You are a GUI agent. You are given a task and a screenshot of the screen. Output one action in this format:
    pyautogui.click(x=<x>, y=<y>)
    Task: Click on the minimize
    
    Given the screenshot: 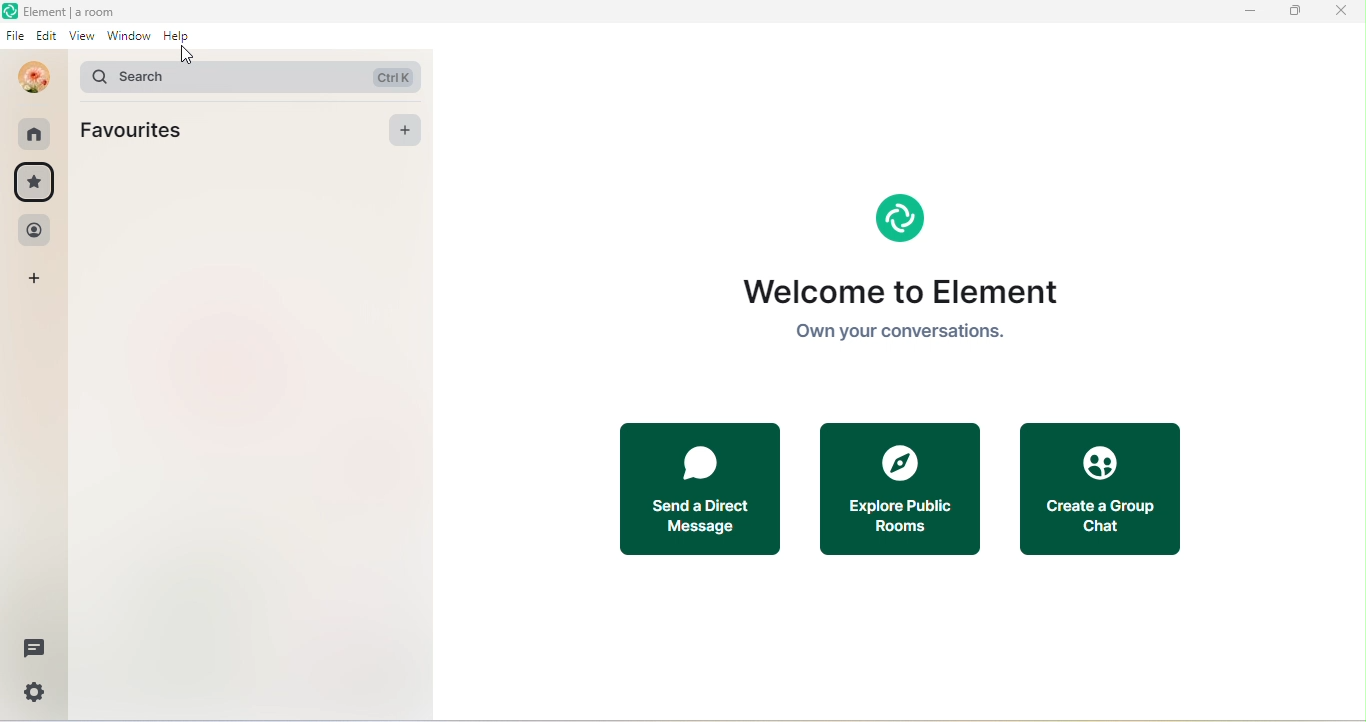 What is the action you would take?
    pyautogui.click(x=1253, y=11)
    